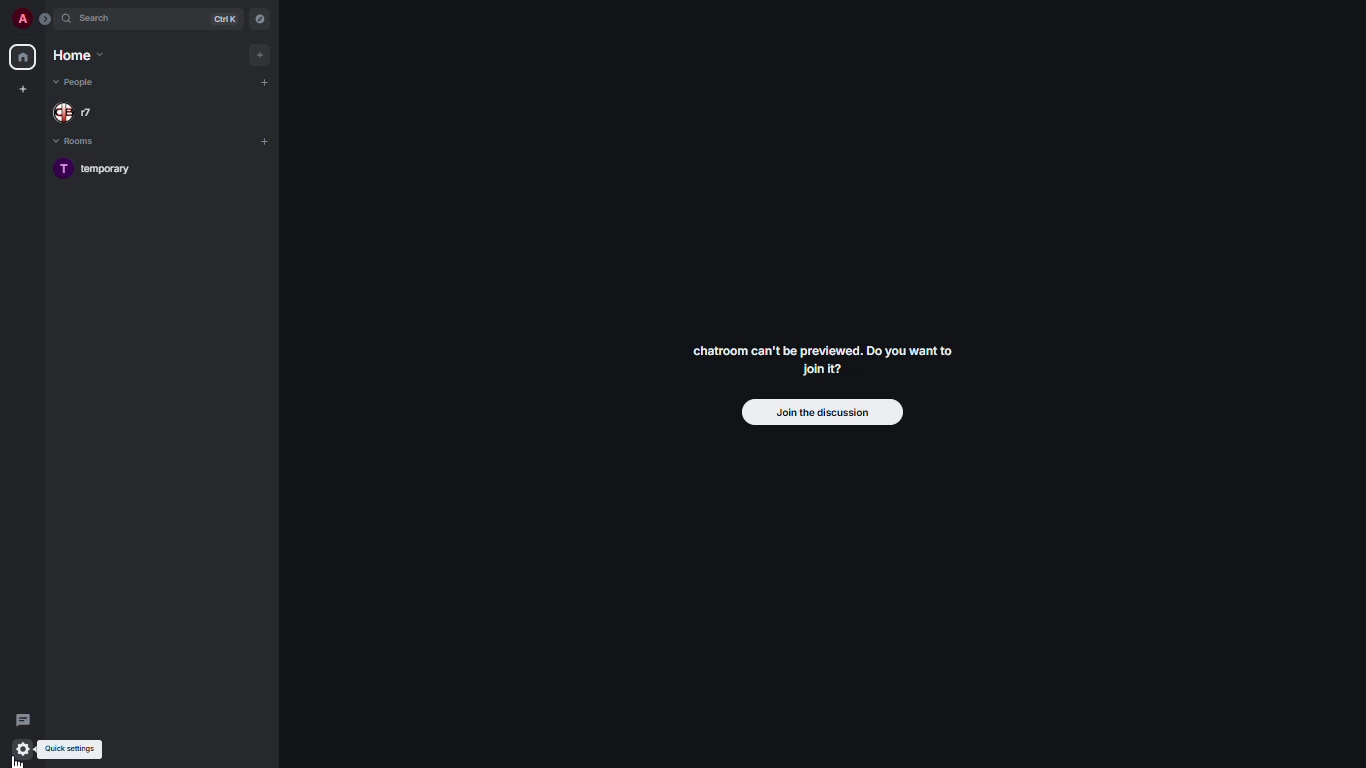  What do you see at coordinates (98, 18) in the screenshot?
I see `search` at bounding box center [98, 18].